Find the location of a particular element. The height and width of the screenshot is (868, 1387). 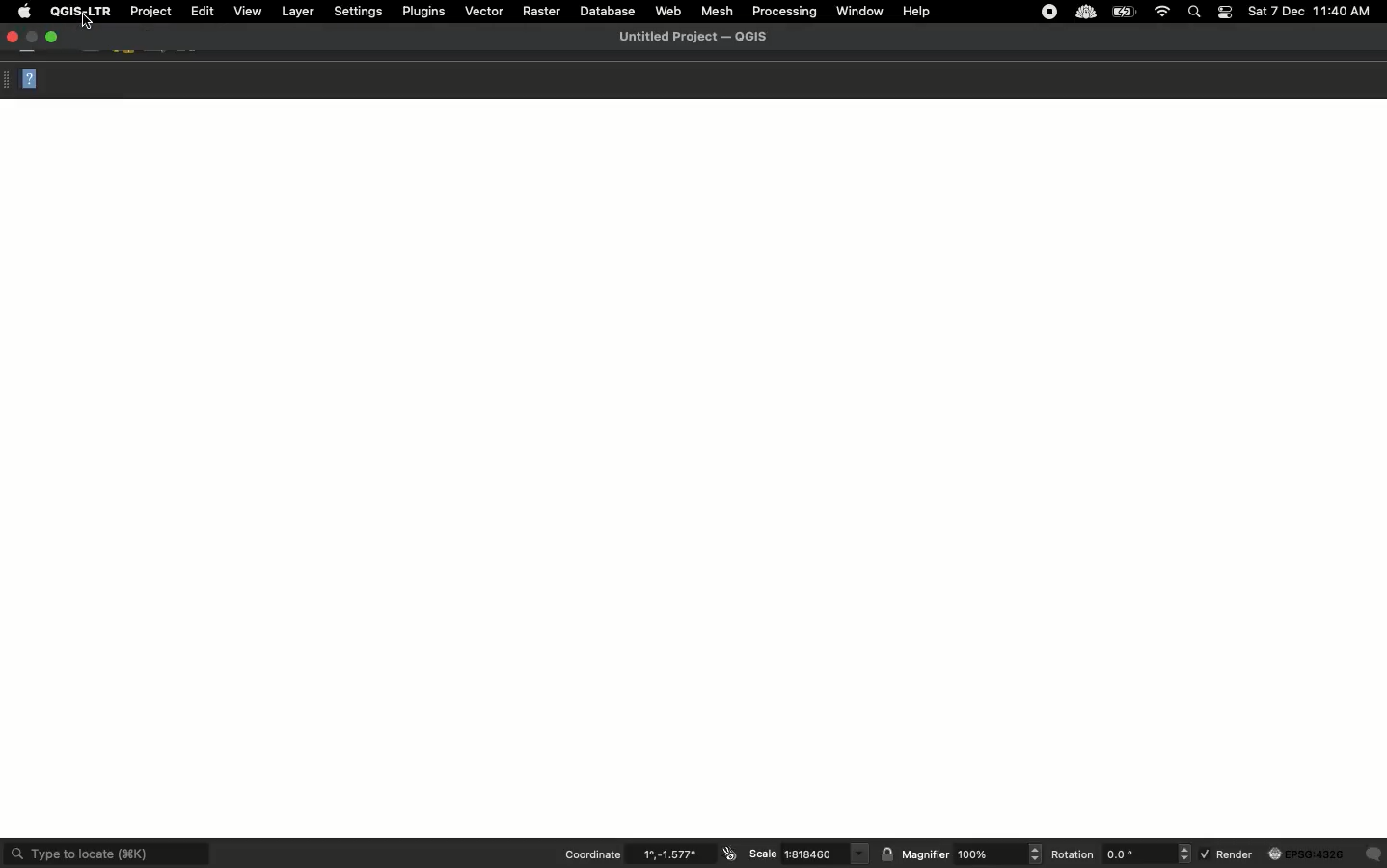

Render is located at coordinates (1227, 851).